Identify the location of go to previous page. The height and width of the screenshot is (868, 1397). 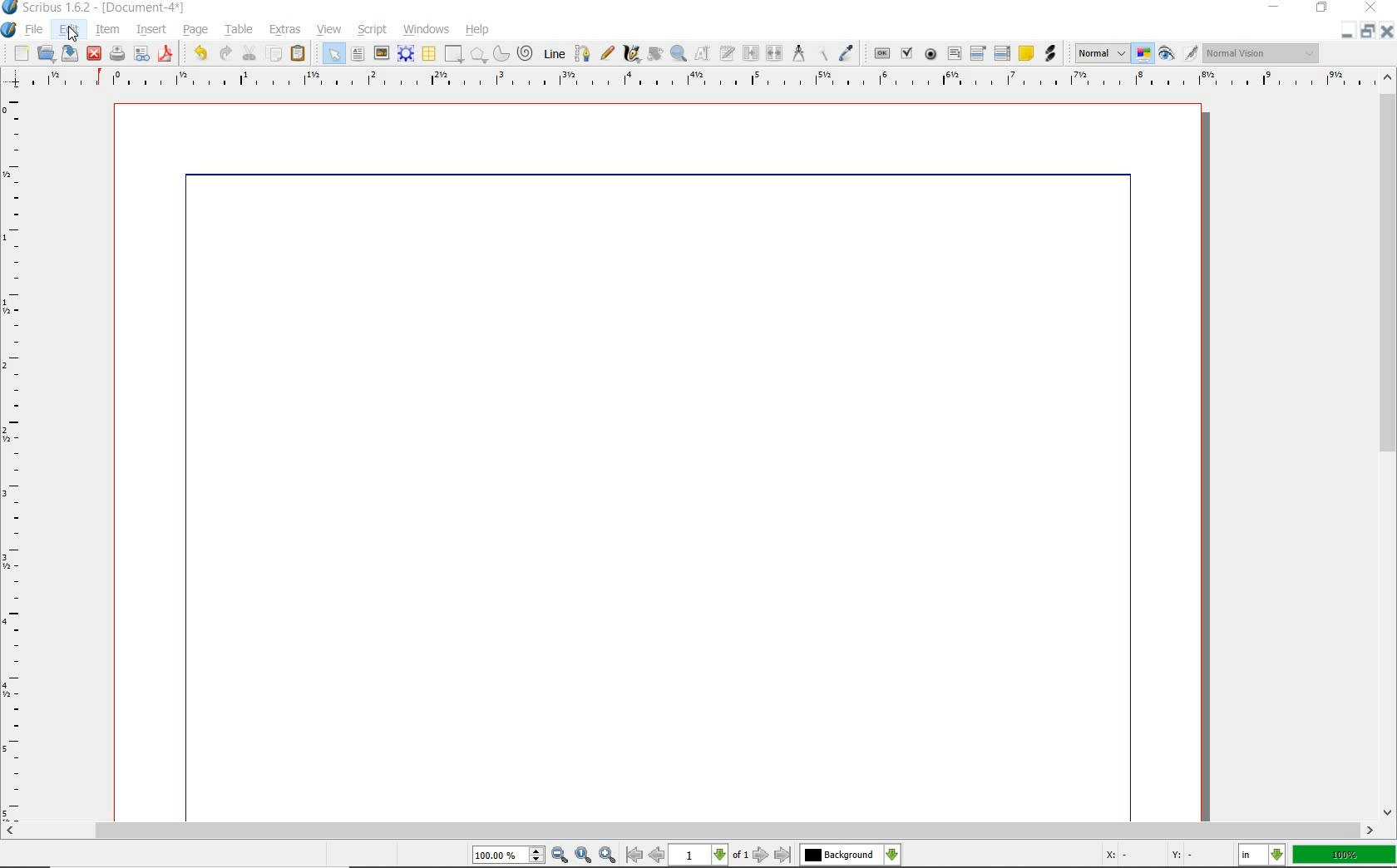
(659, 856).